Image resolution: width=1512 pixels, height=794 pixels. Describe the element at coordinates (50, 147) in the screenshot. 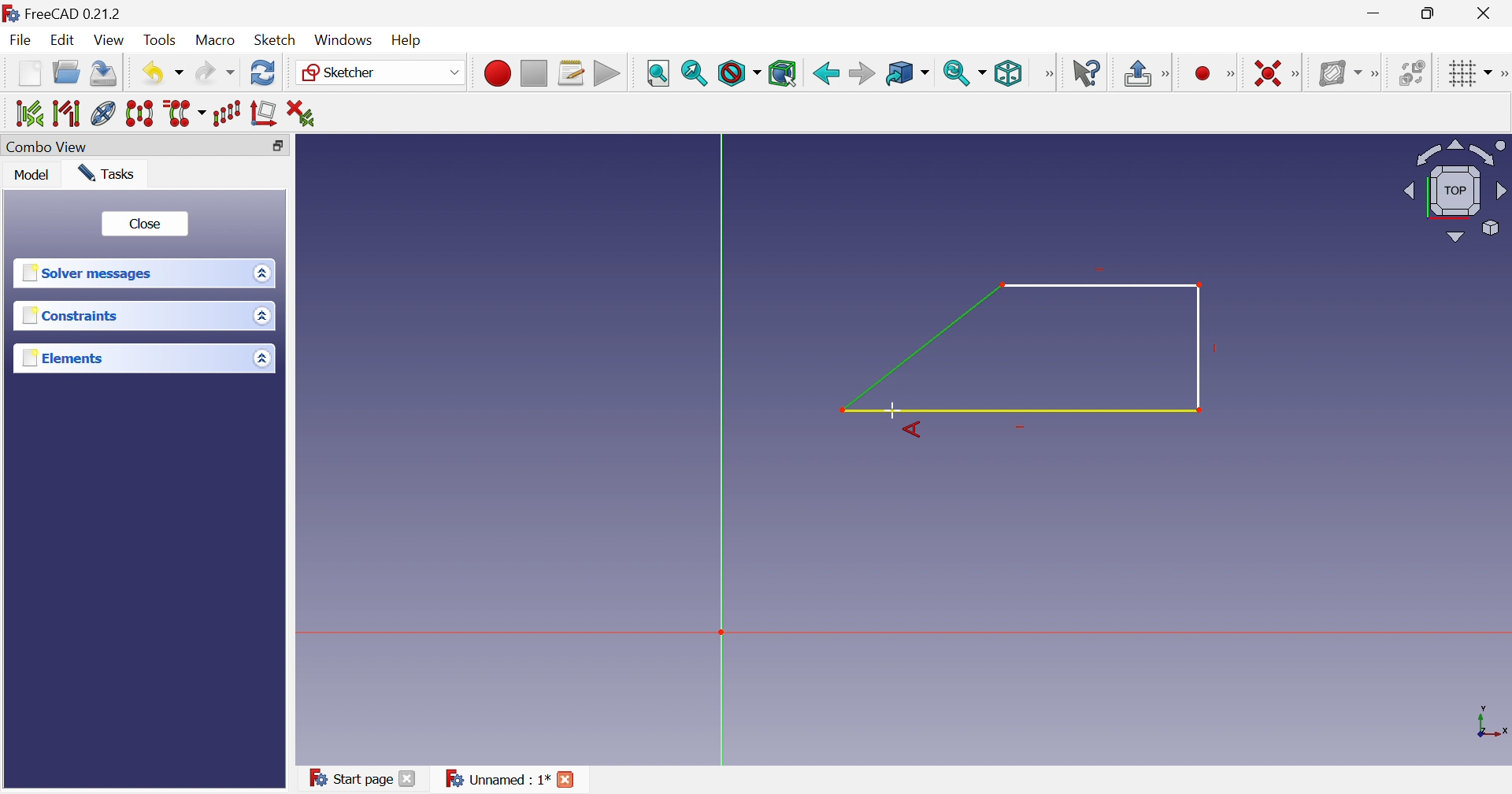

I see `Combo View` at that location.